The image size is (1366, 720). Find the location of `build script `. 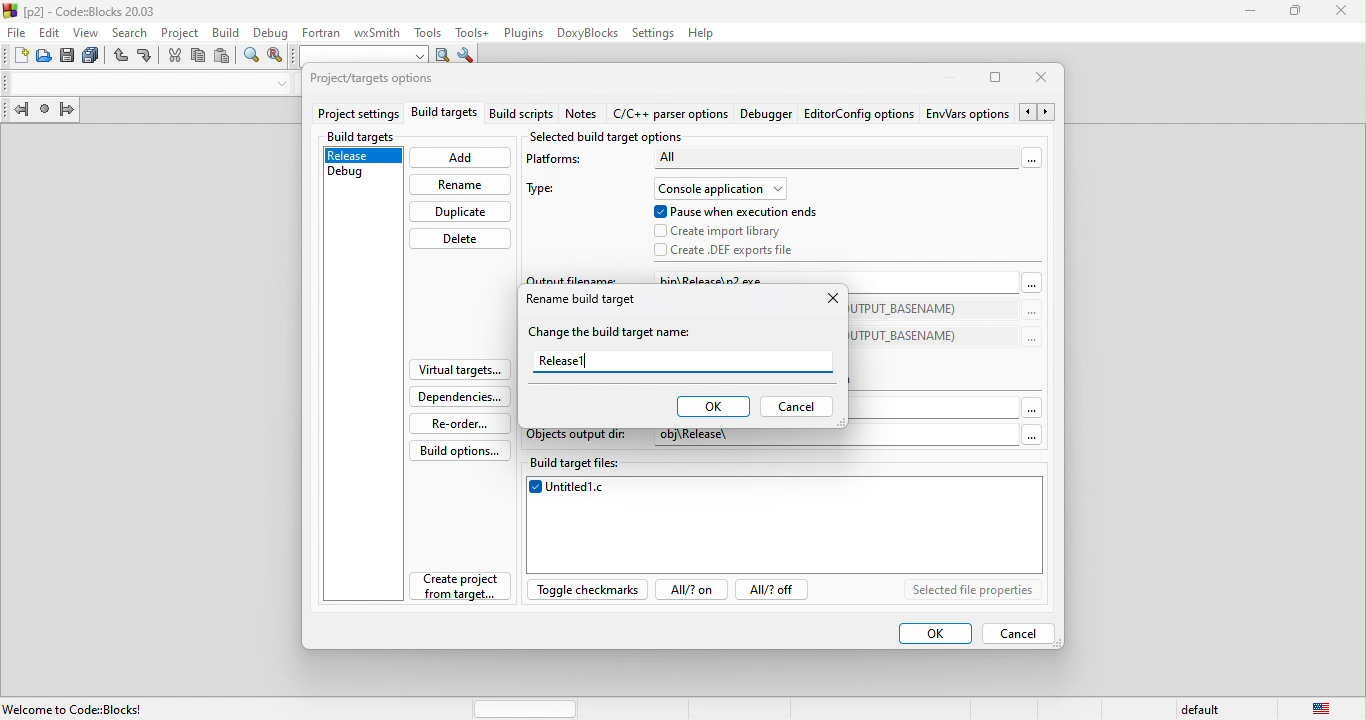

build script  is located at coordinates (525, 115).